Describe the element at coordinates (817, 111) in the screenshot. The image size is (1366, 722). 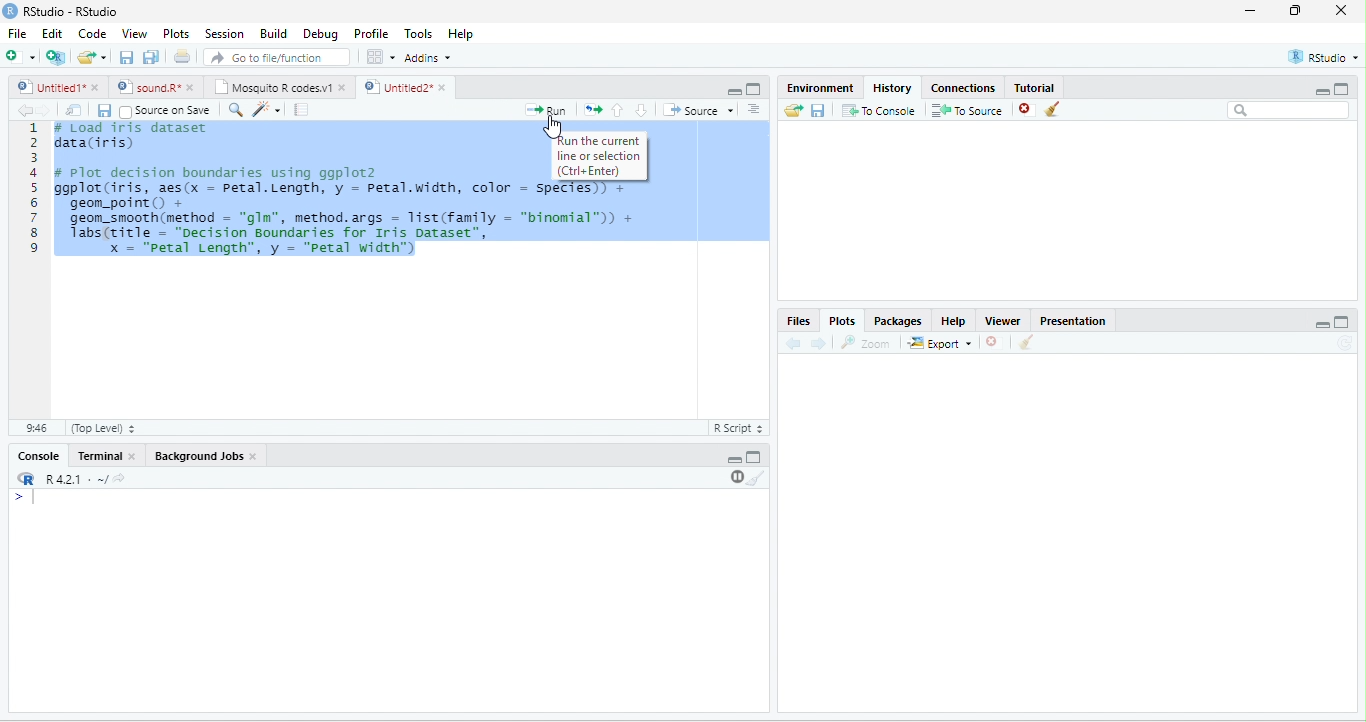
I see `save` at that location.